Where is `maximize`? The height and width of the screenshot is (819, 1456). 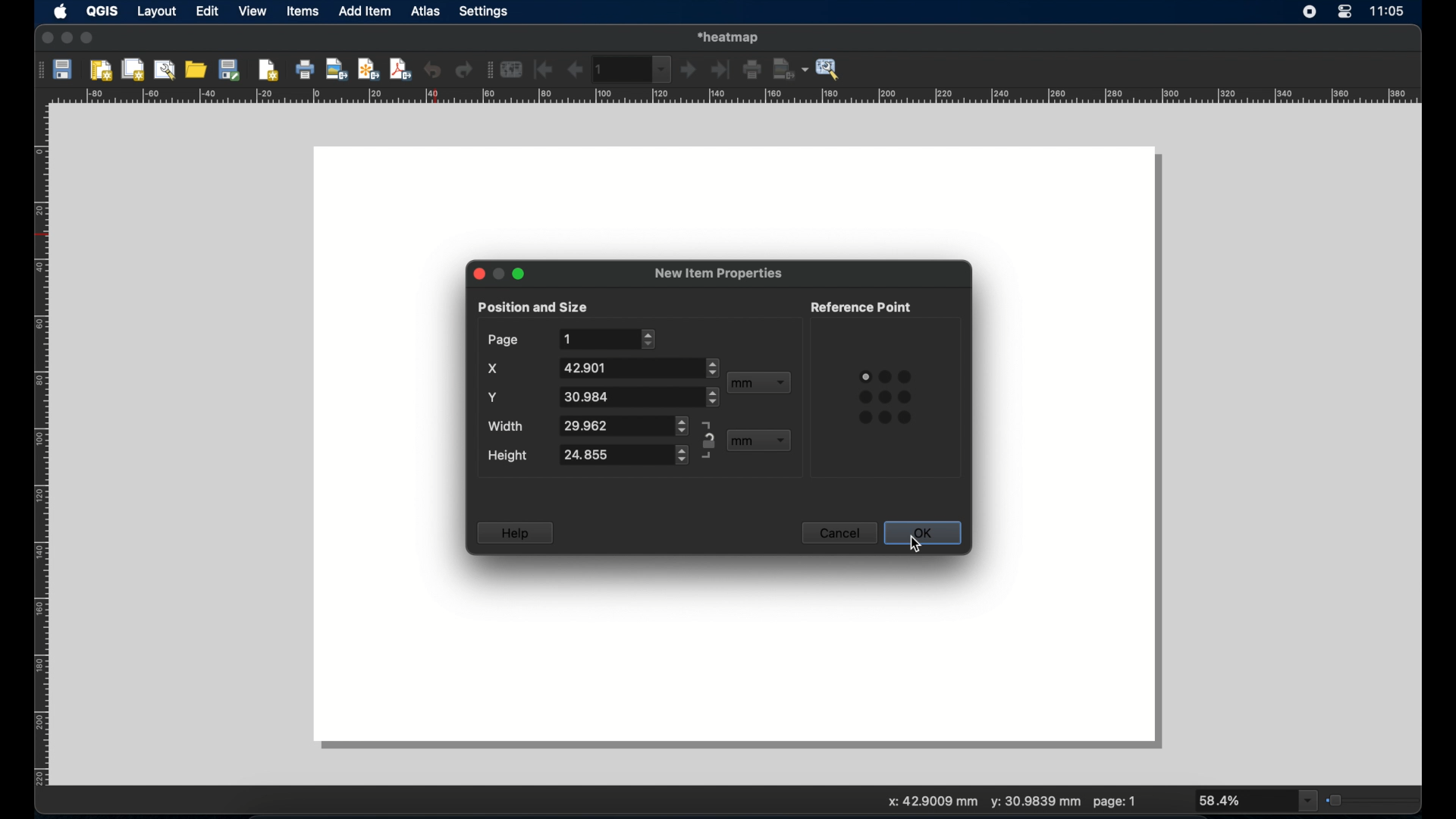
maximize is located at coordinates (519, 275).